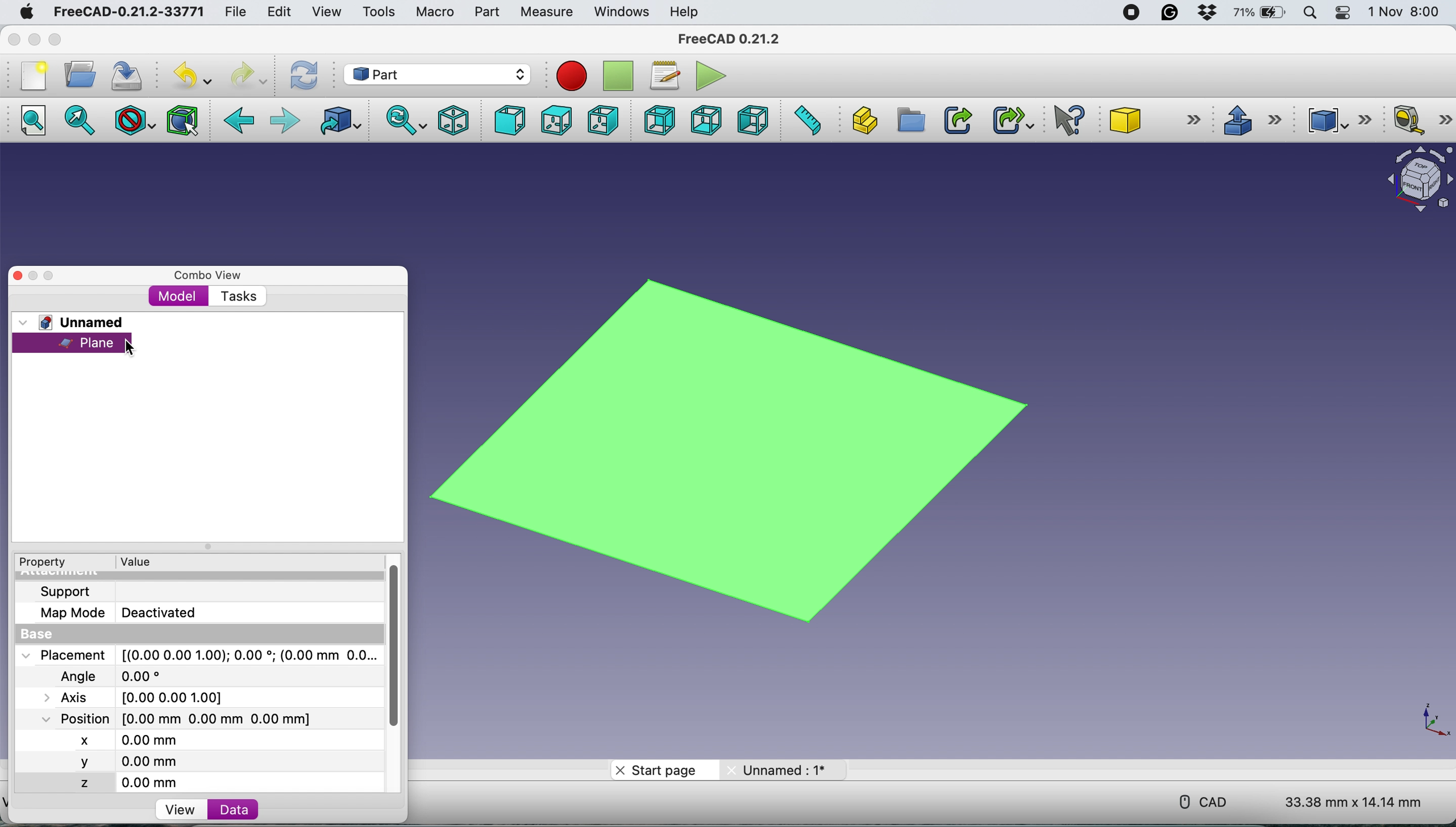 The image size is (1456, 827). Describe the element at coordinates (286, 123) in the screenshot. I see `foward` at that location.